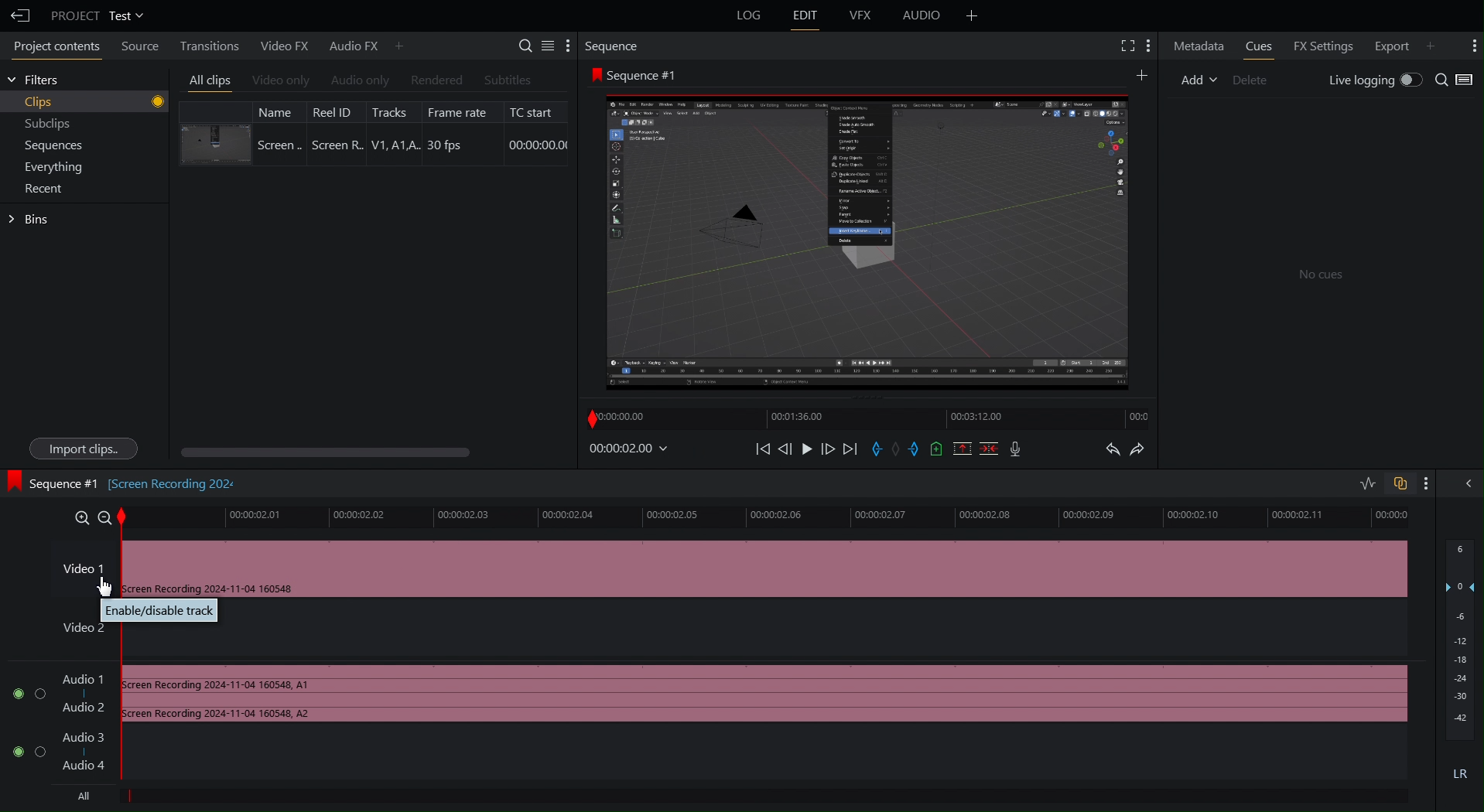  What do you see at coordinates (29, 220) in the screenshot?
I see `Bins` at bounding box center [29, 220].